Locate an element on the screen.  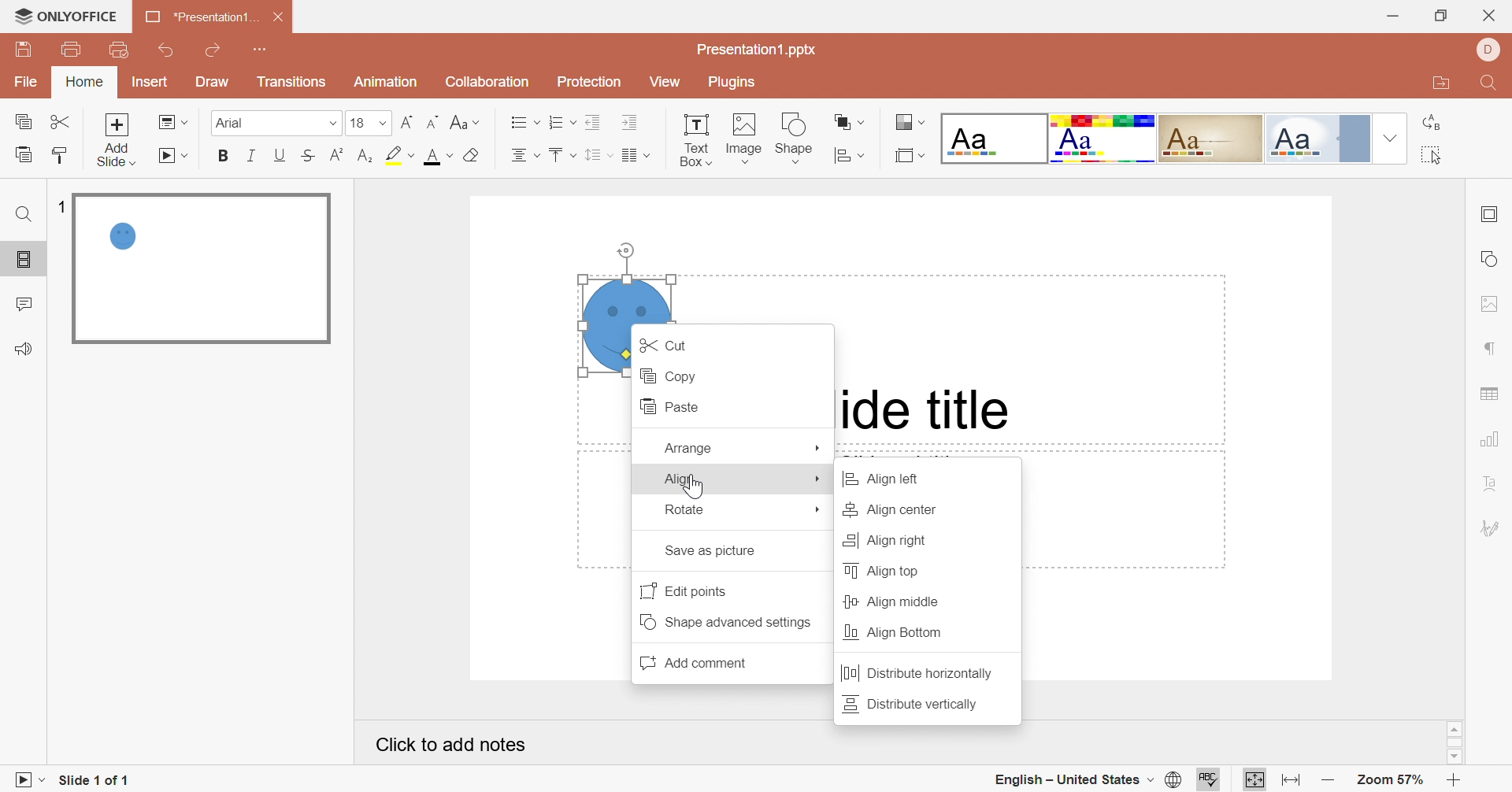
Paste is located at coordinates (675, 407).